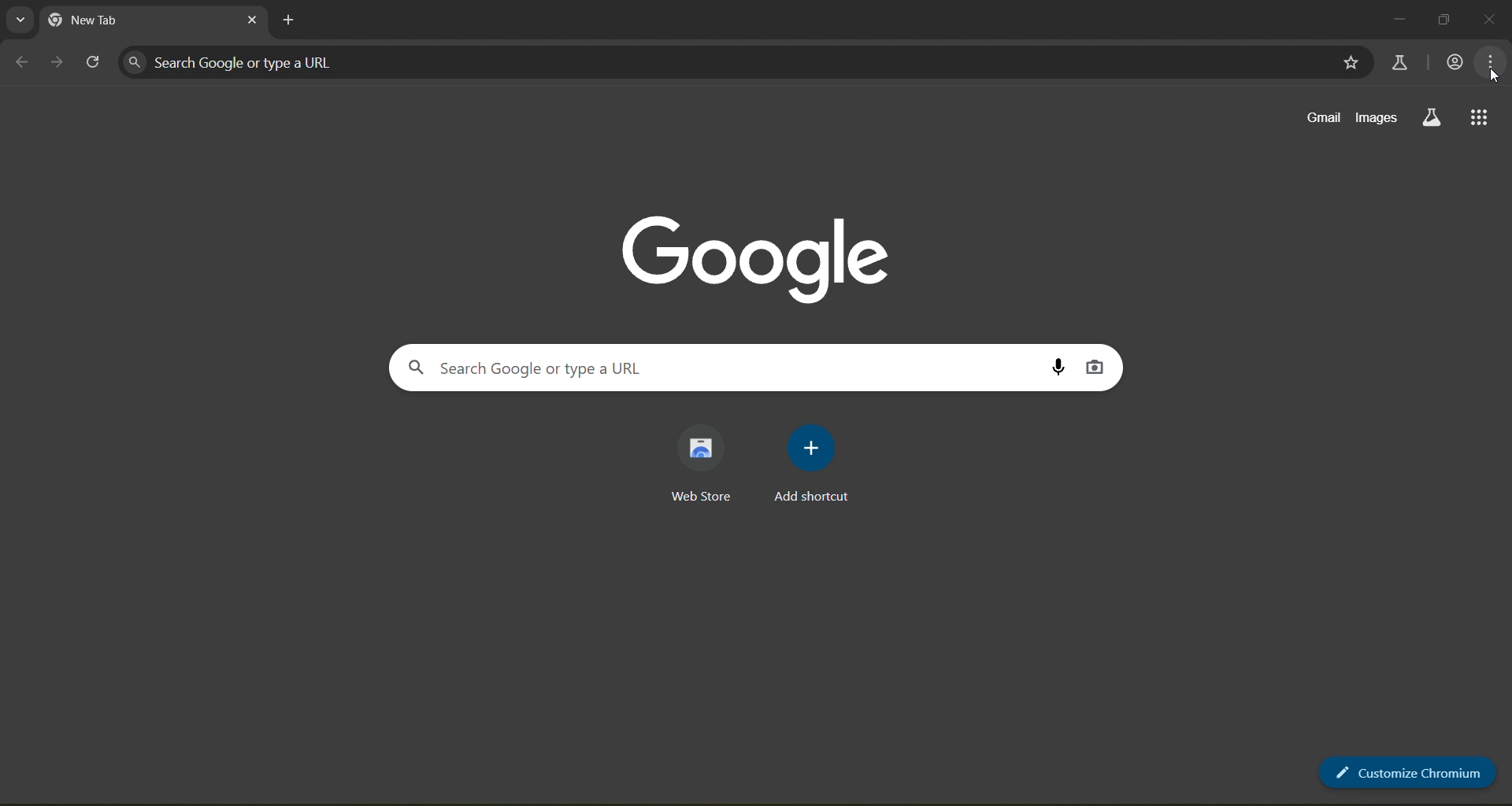 This screenshot has height=806, width=1512. I want to click on add shortcut, so click(816, 462).